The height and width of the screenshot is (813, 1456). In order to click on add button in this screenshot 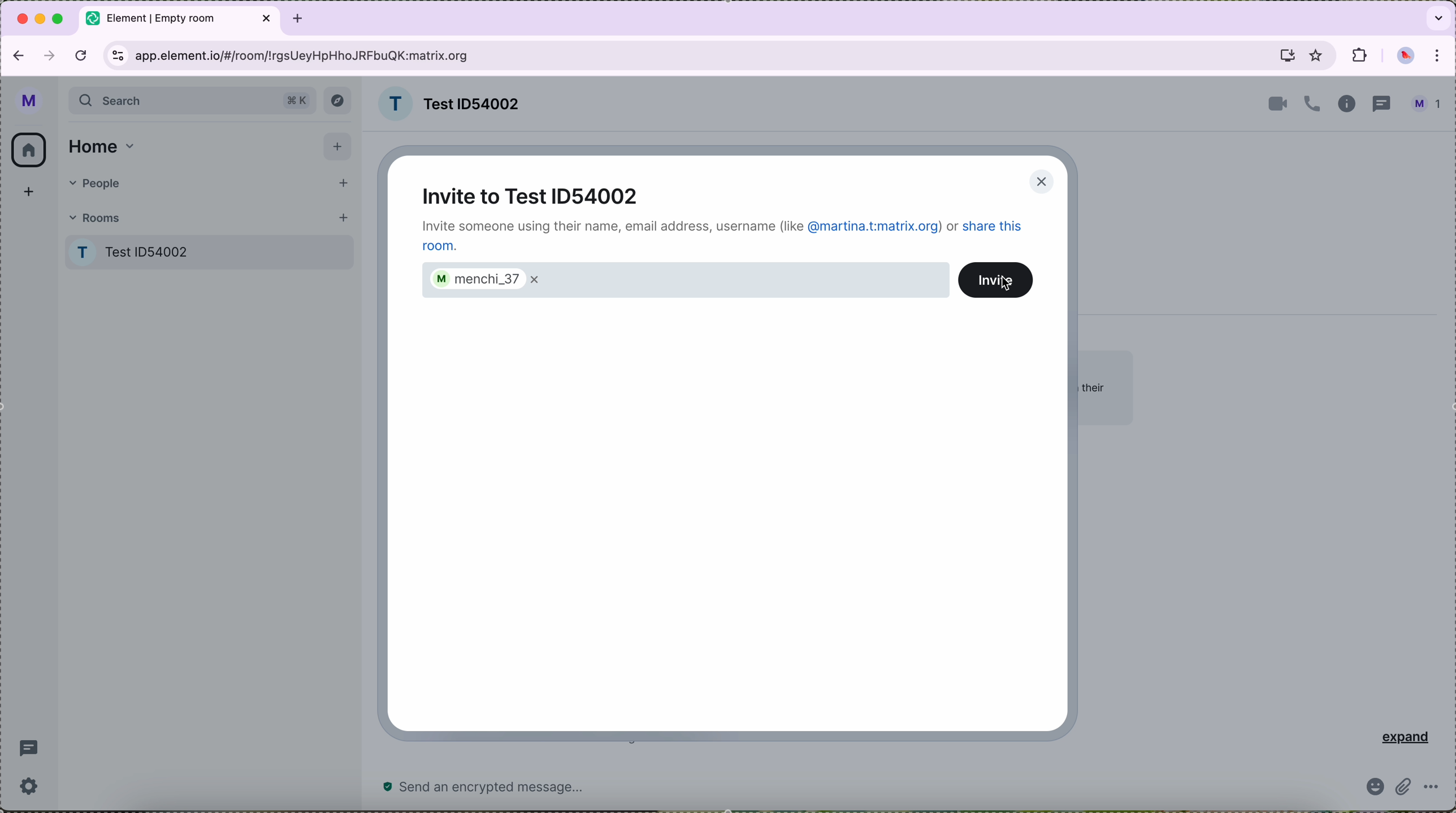, I will do `click(340, 147)`.